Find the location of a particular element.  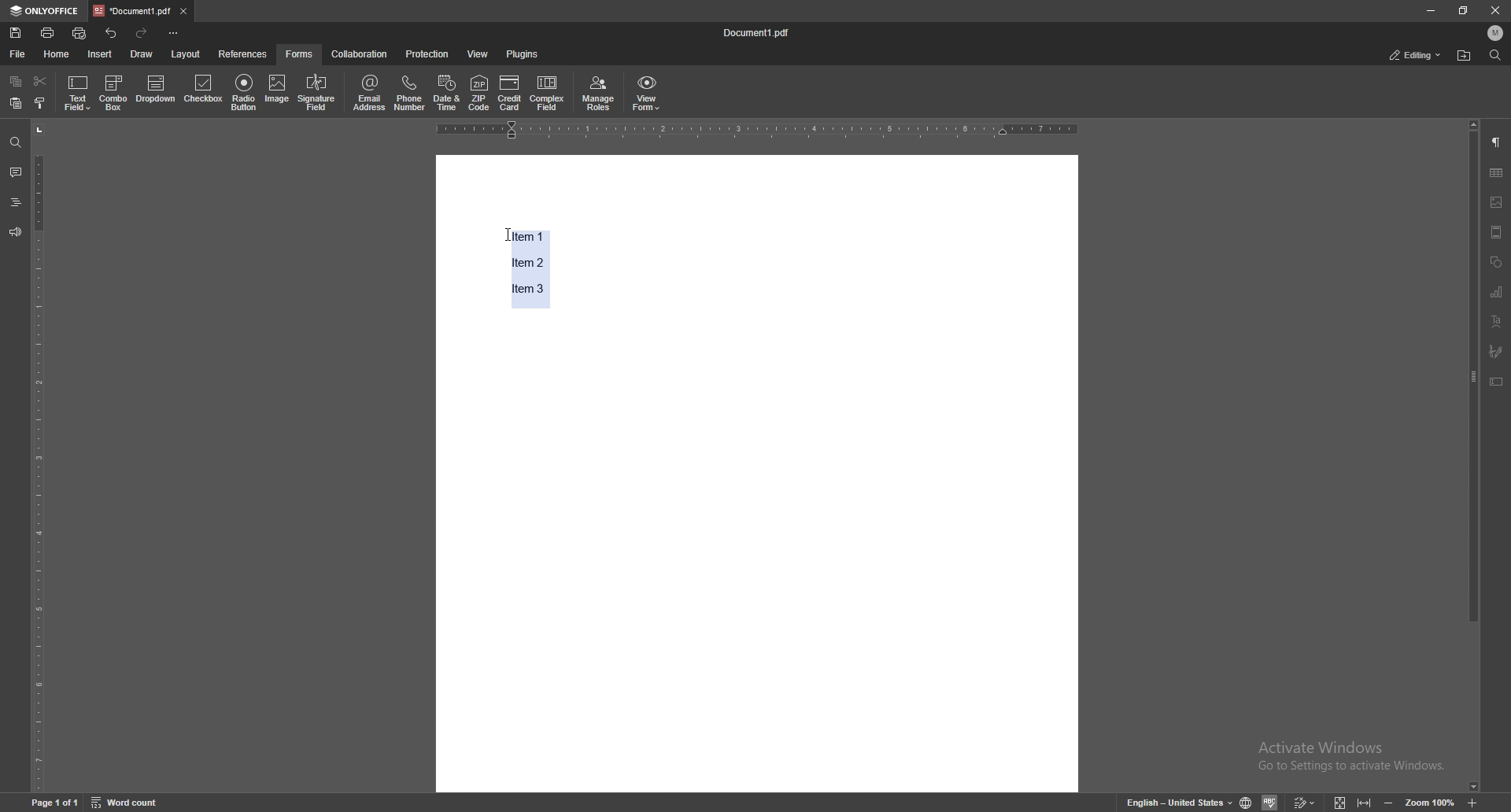

find is located at coordinates (15, 142).